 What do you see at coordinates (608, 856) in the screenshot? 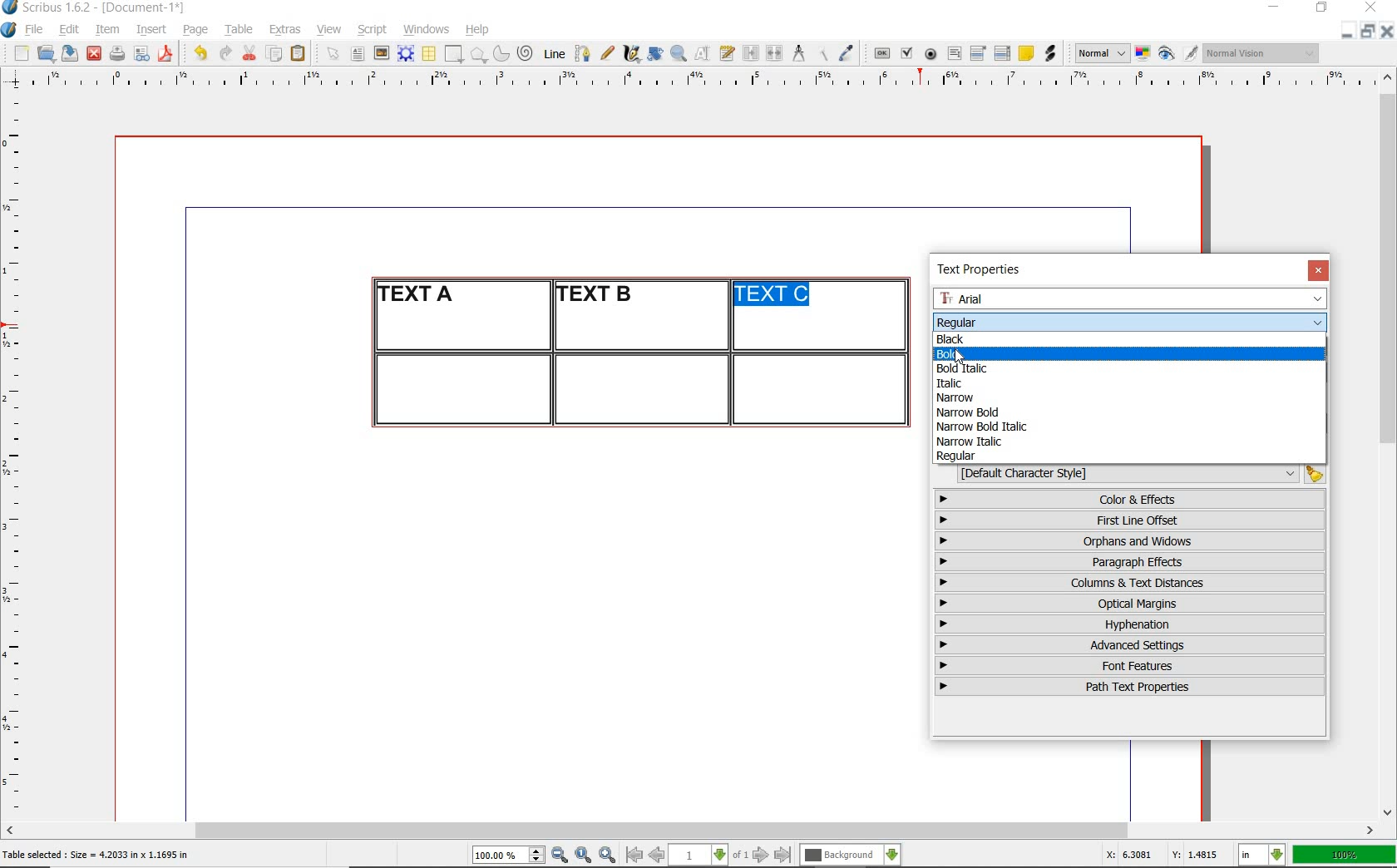
I see `zoom in` at bounding box center [608, 856].